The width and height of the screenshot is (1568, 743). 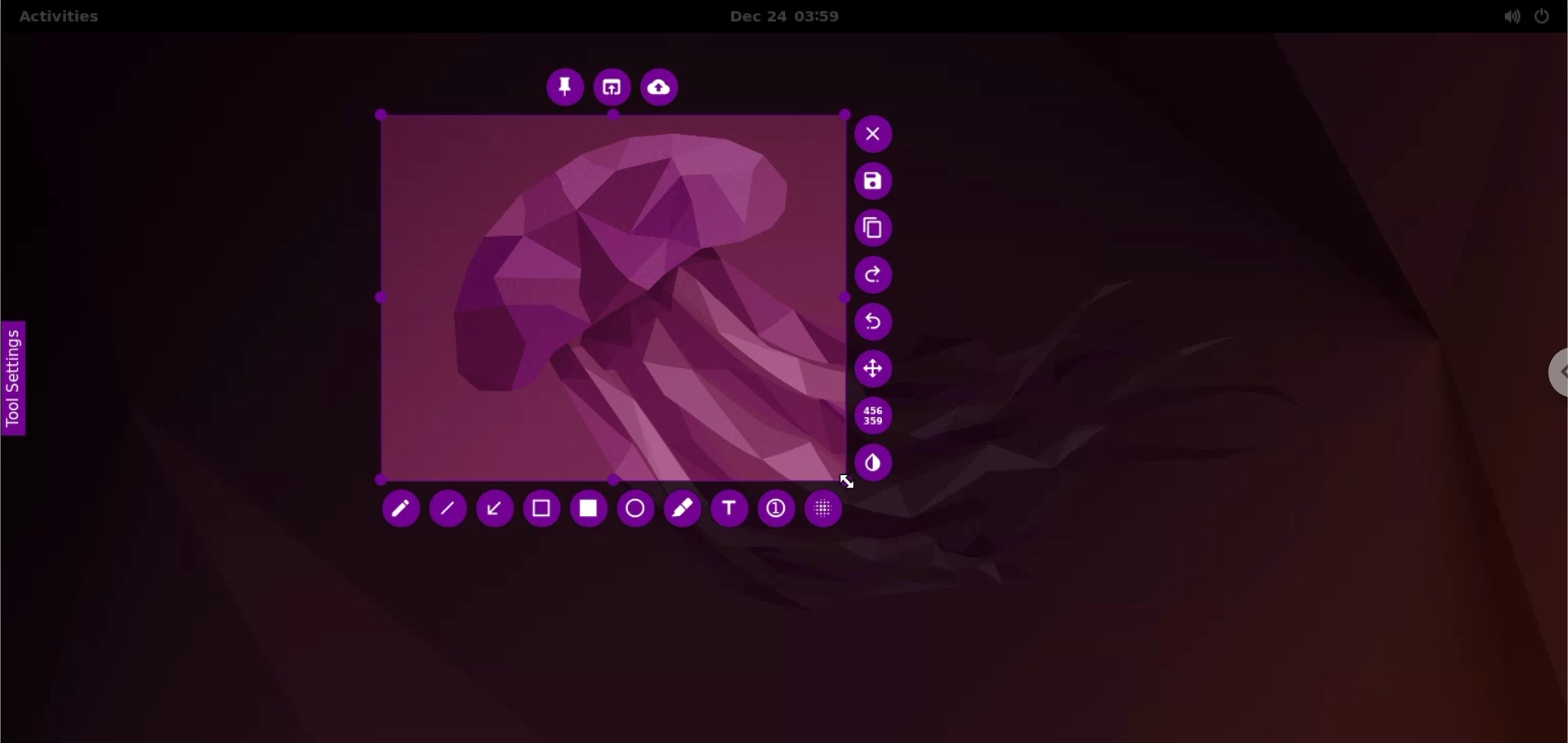 What do you see at coordinates (684, 509) in the screenshot?
I see `marker` at bounding box center [684, 509].